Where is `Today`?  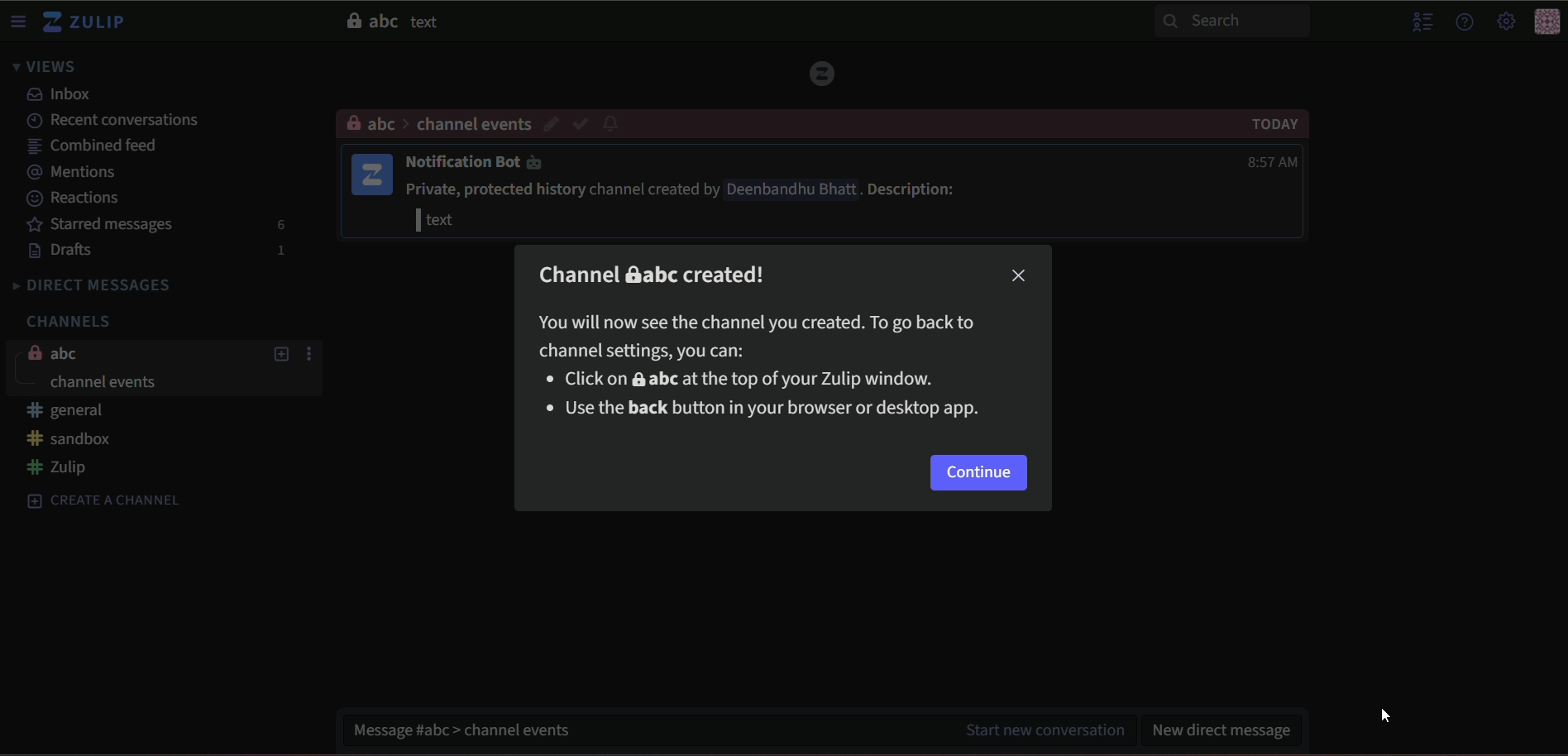
Today is located at coordinates (1235, 124).